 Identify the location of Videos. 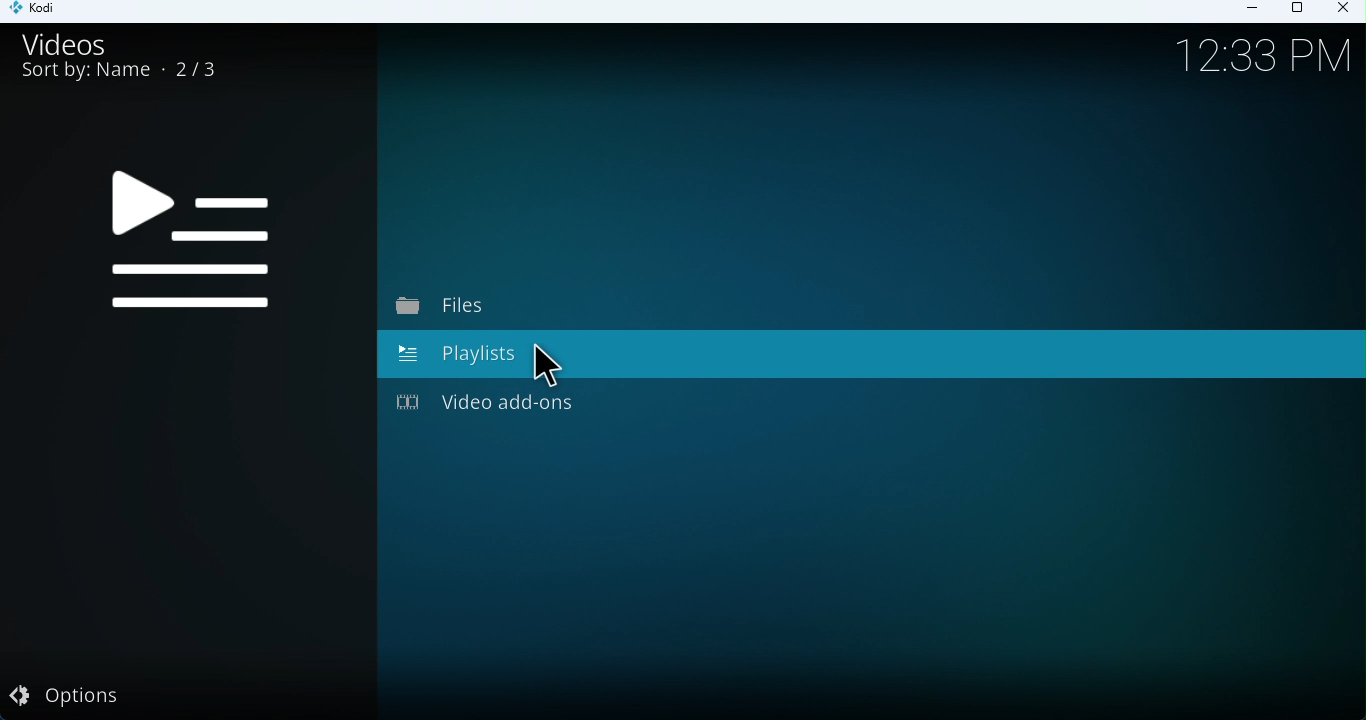
(209, 253).